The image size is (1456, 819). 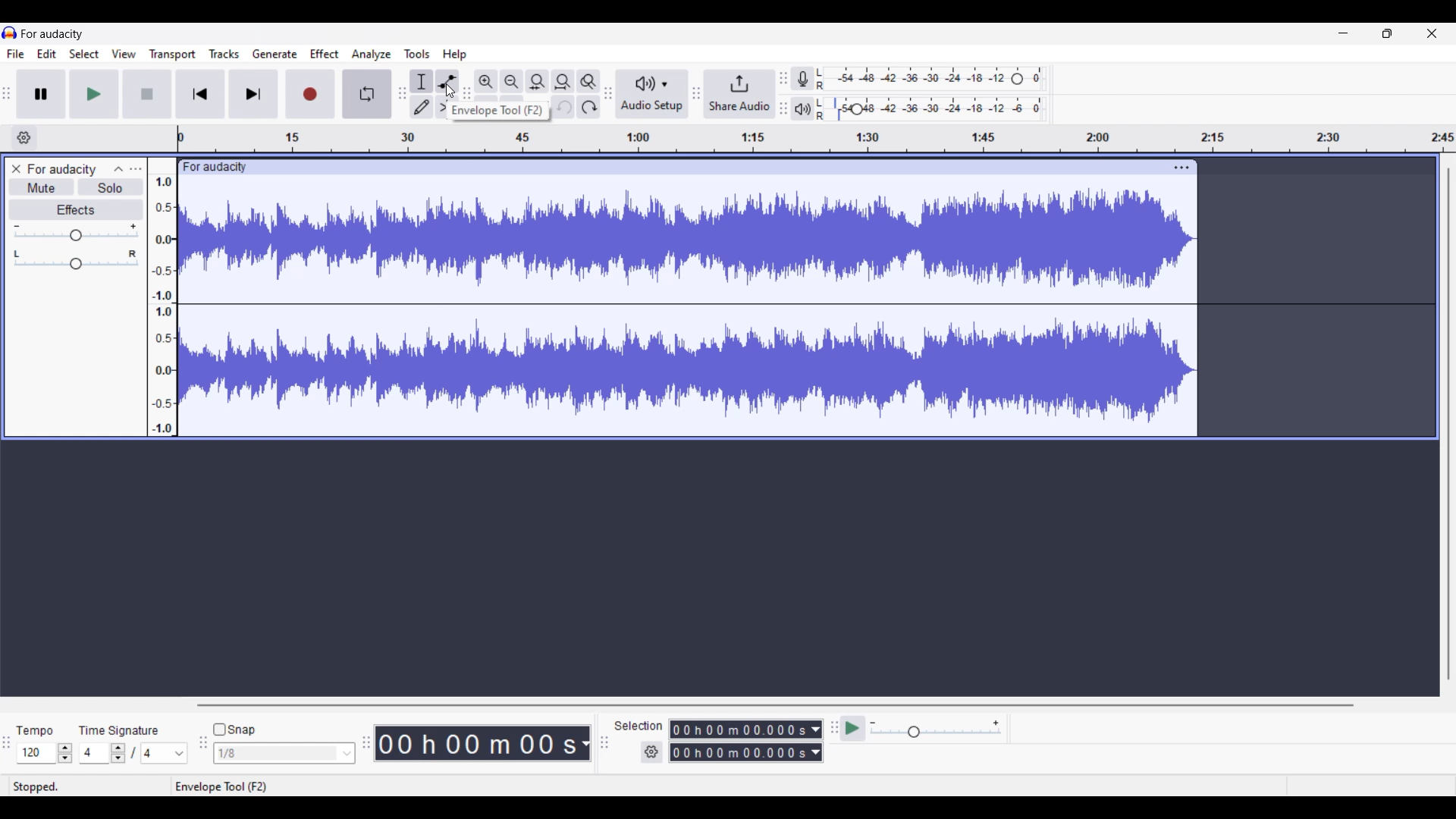 I want to click on Tempo settings, so click(x=45, y=753).